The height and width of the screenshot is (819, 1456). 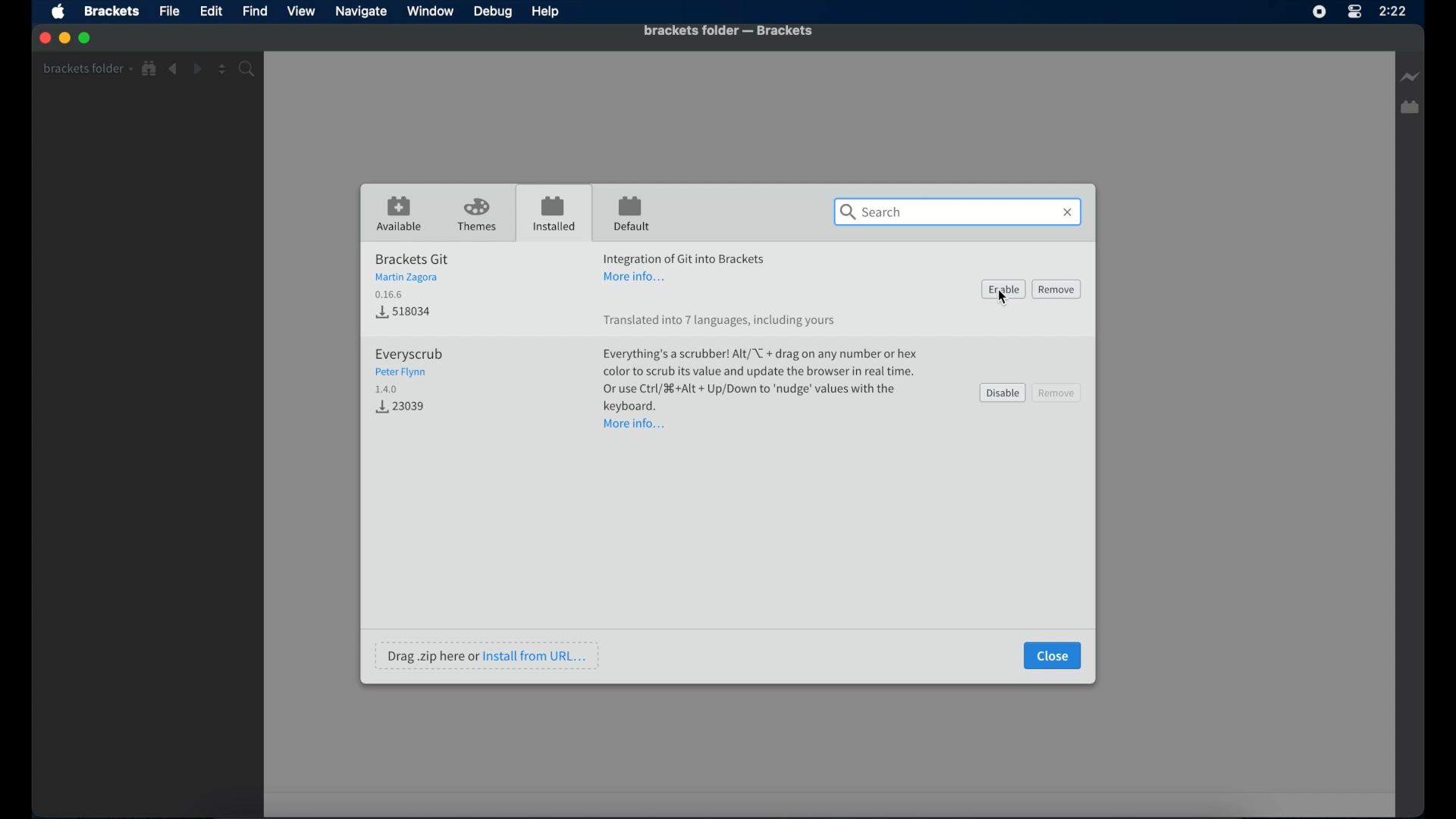 What do you see at coordinates (412, 275) in the screenshot?
I see `brackets git extension` at bounding box center [412, 275].